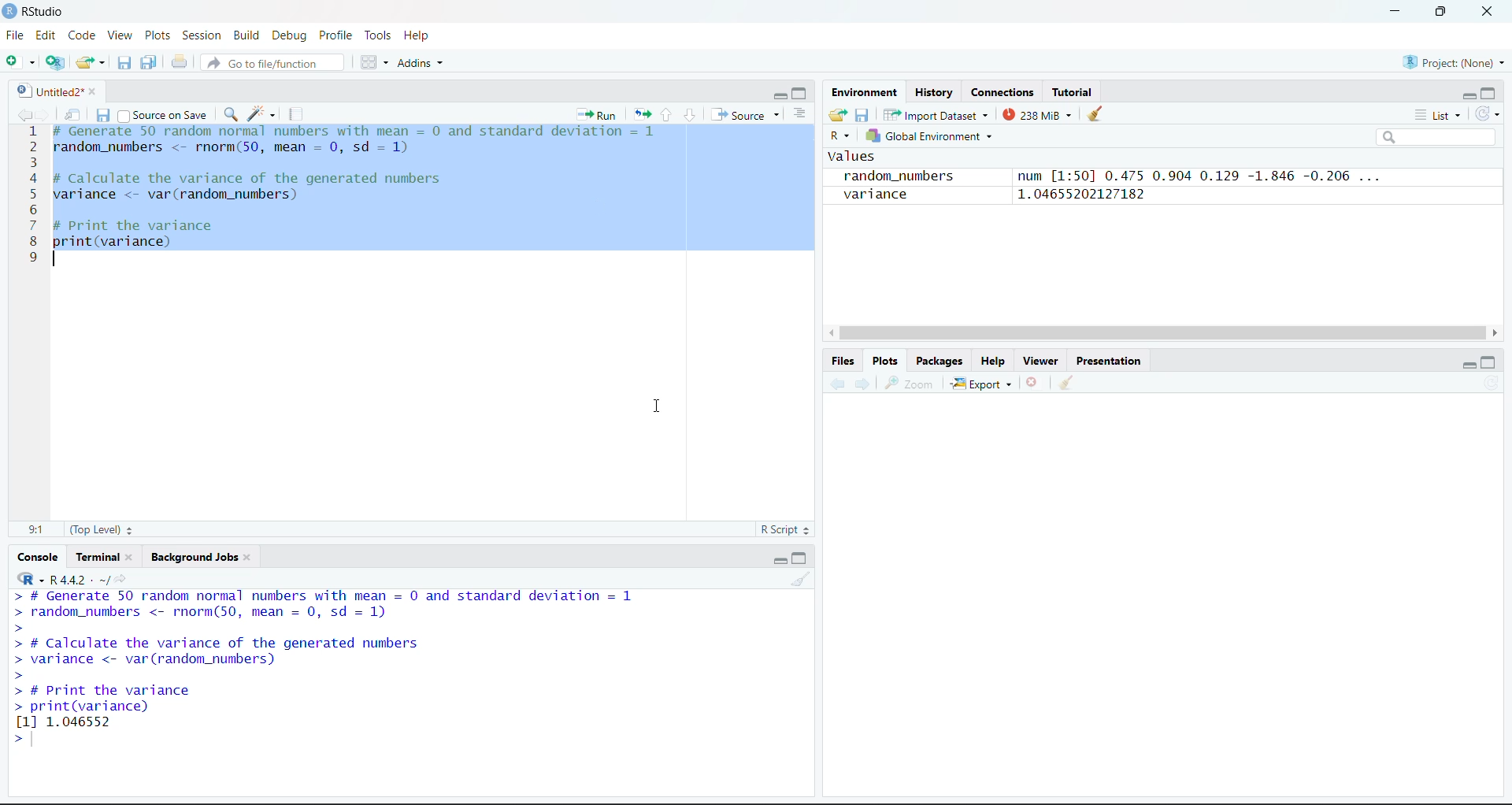 The width and height of the screenshot is (1512, 805). I want to click on options, so click(800, 114).